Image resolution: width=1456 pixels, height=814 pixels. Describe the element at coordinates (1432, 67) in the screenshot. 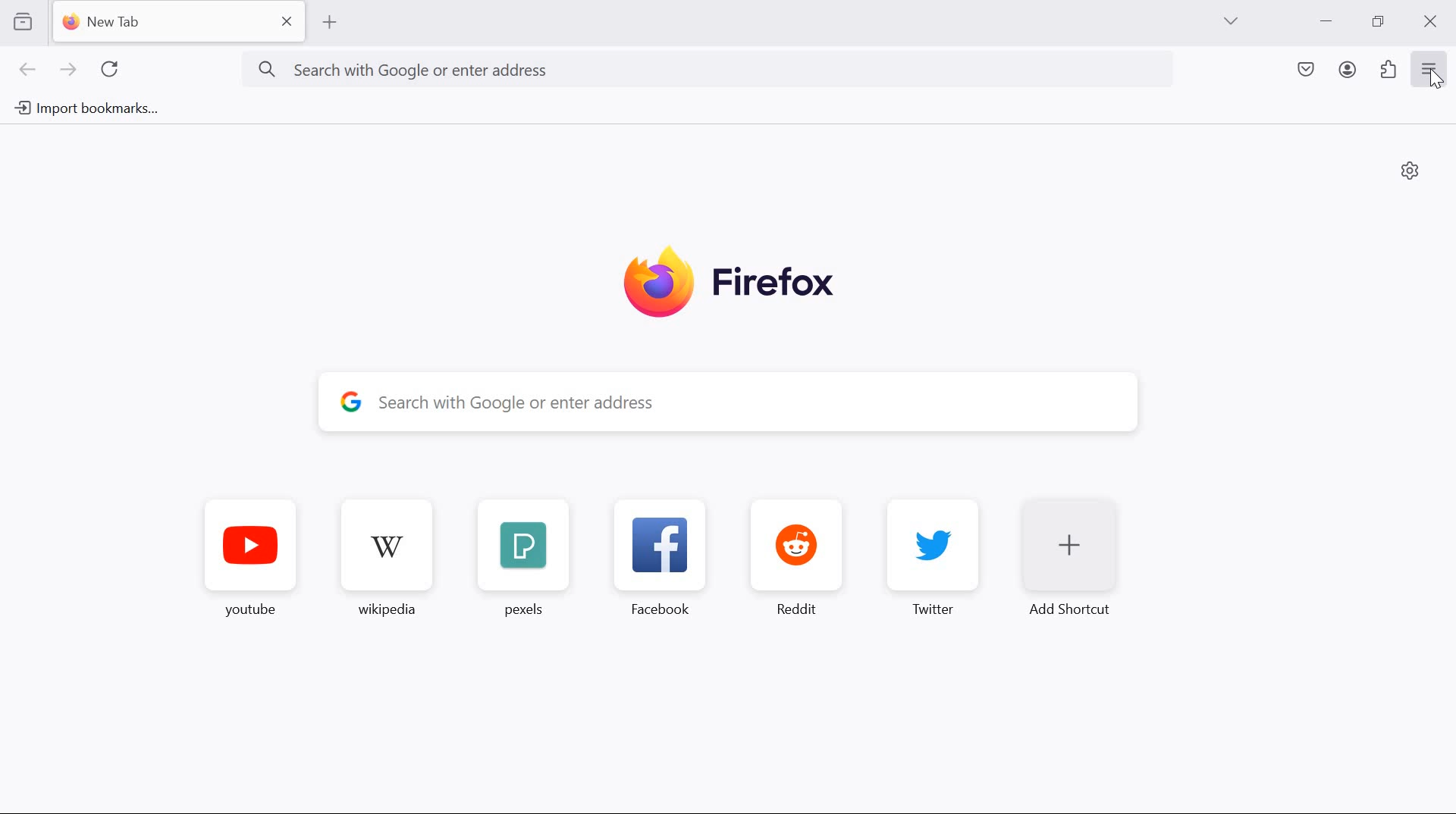

I see `open application menu` at that location.